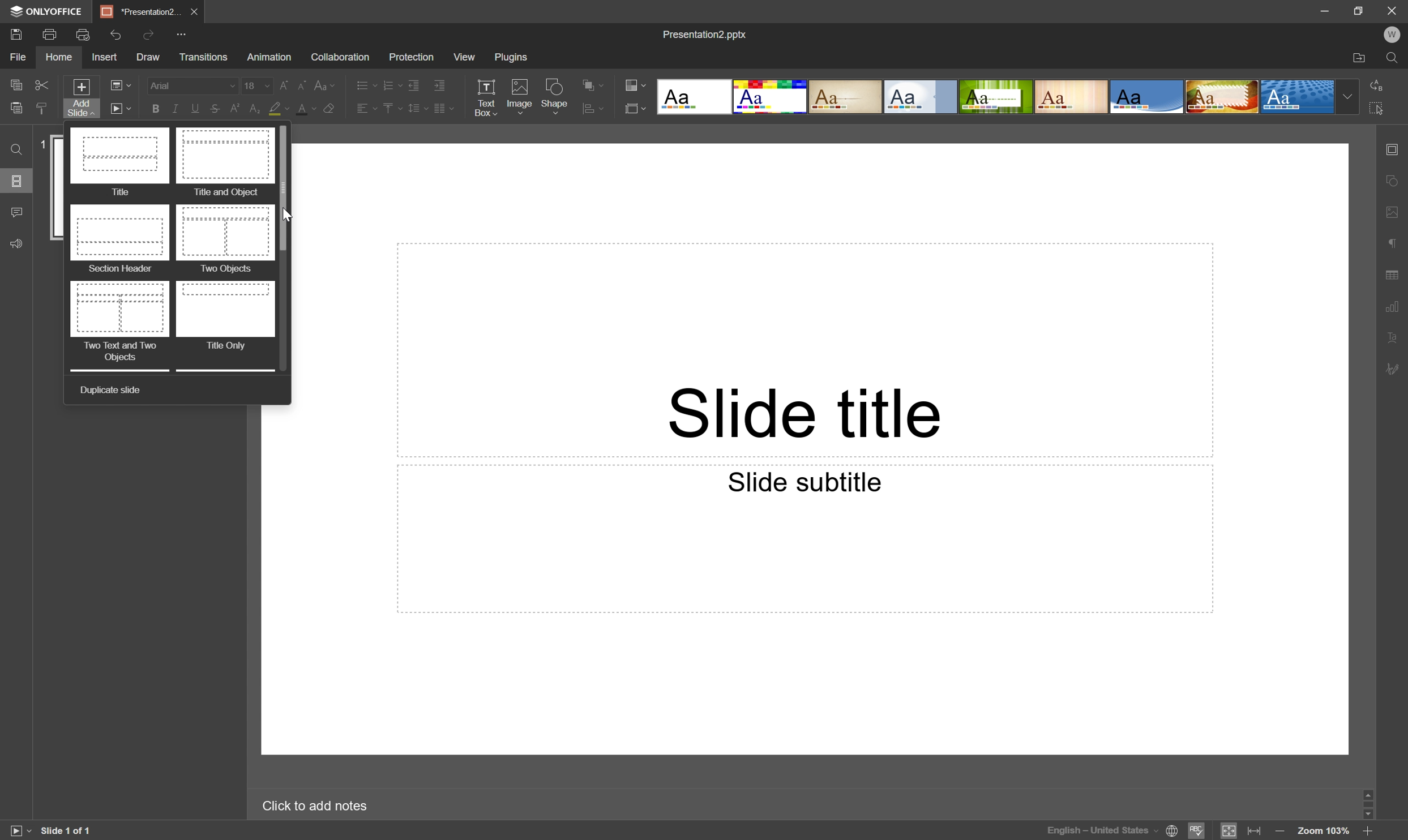 Image resolution: width=1408 pixels, height=840 pixels. I want to click on Change slide layout, so click(121, 85).